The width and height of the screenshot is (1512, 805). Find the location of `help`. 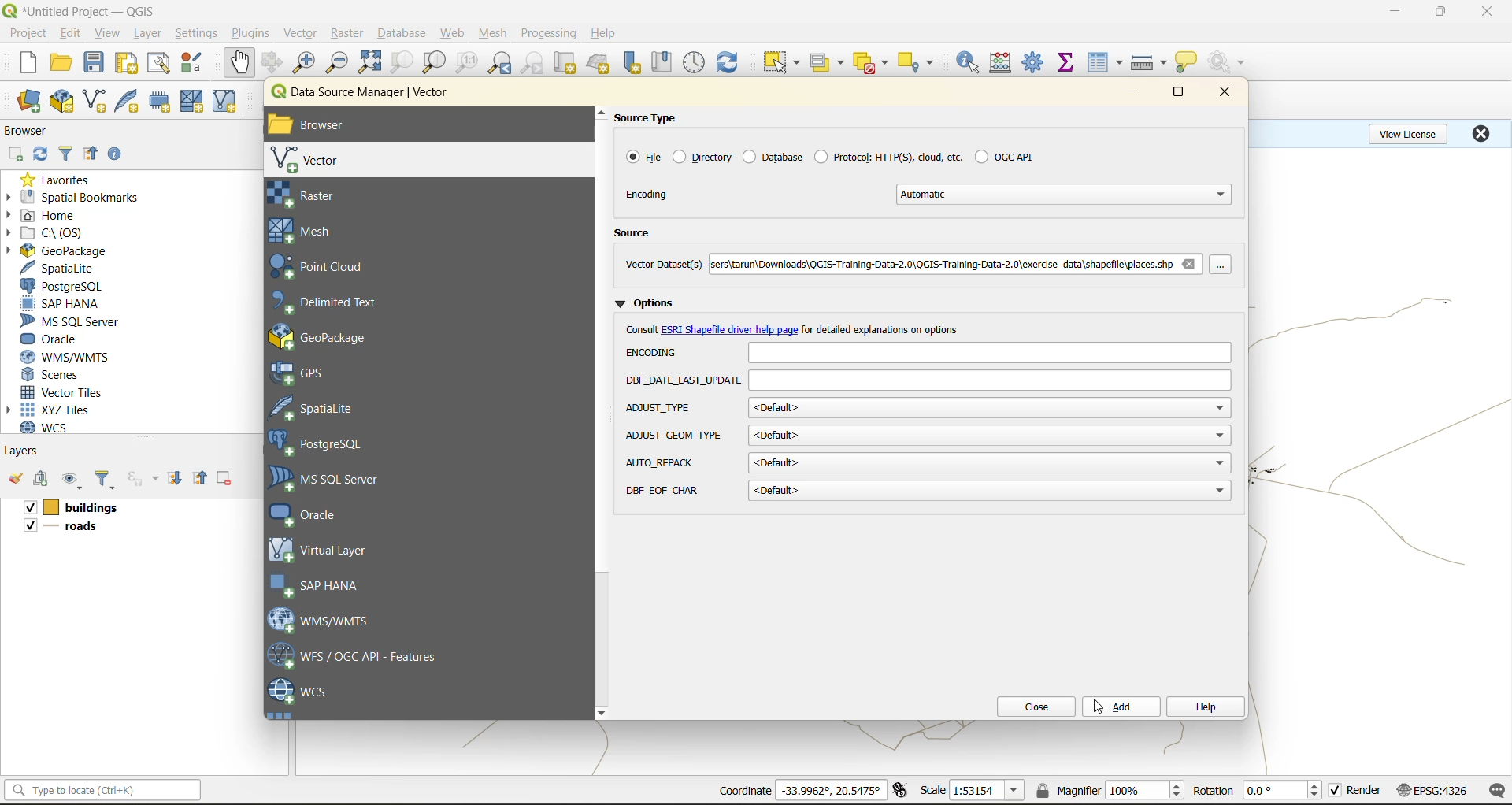

help is located at coordinates (606, 33).